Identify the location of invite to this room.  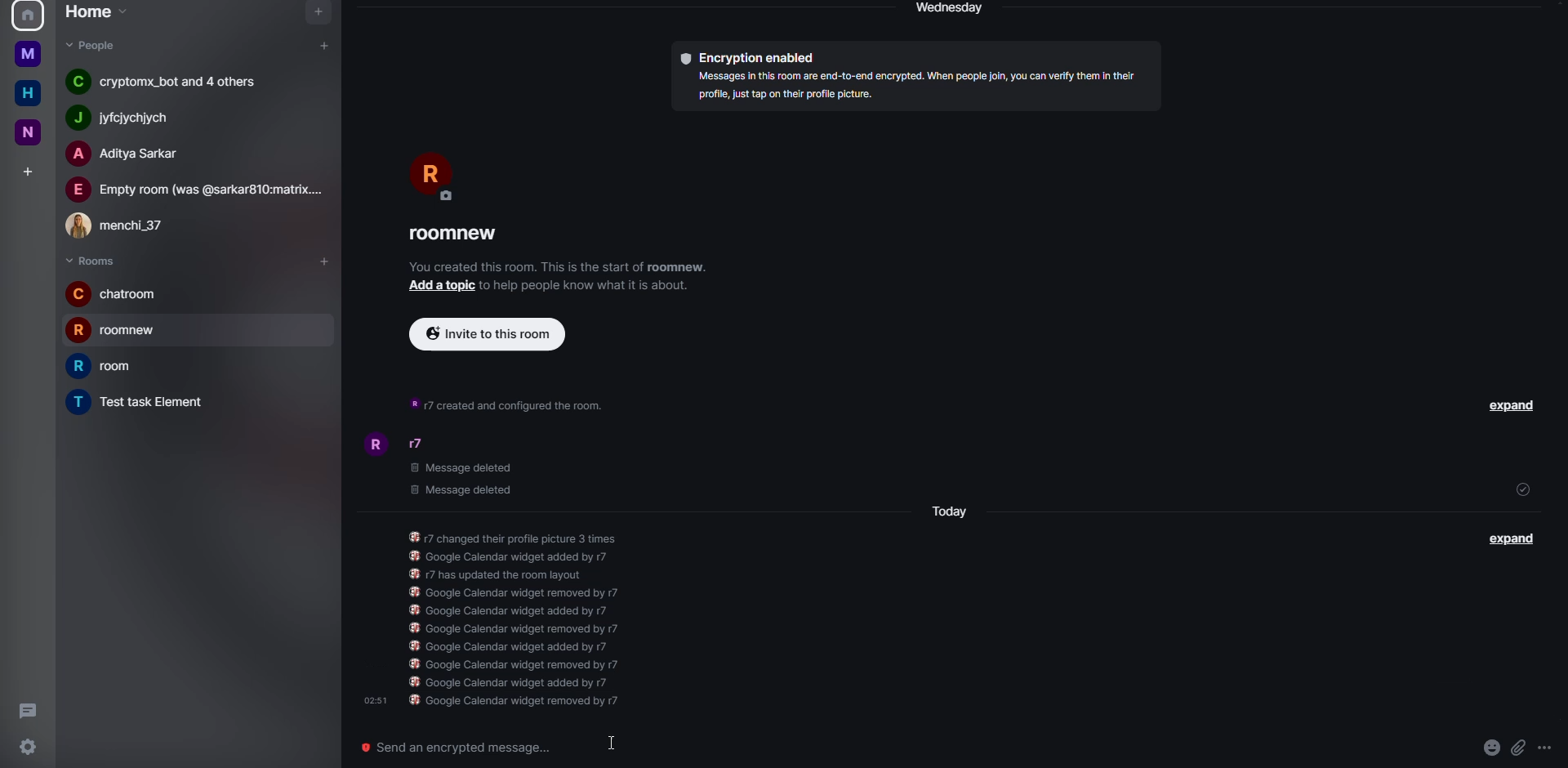
(488, 335).